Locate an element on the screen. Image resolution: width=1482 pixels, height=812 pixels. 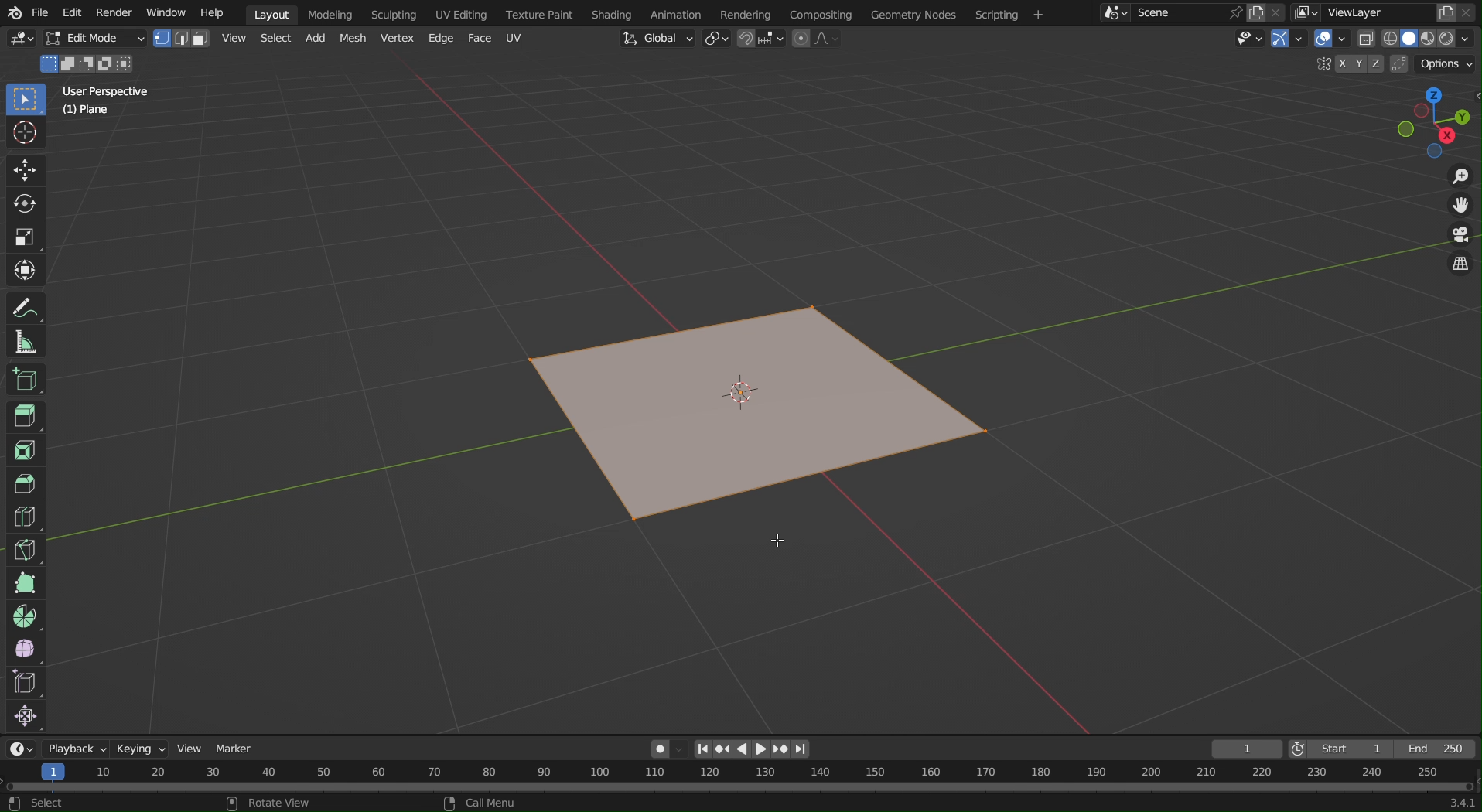
Rotate is located at coordinates (27, 203).